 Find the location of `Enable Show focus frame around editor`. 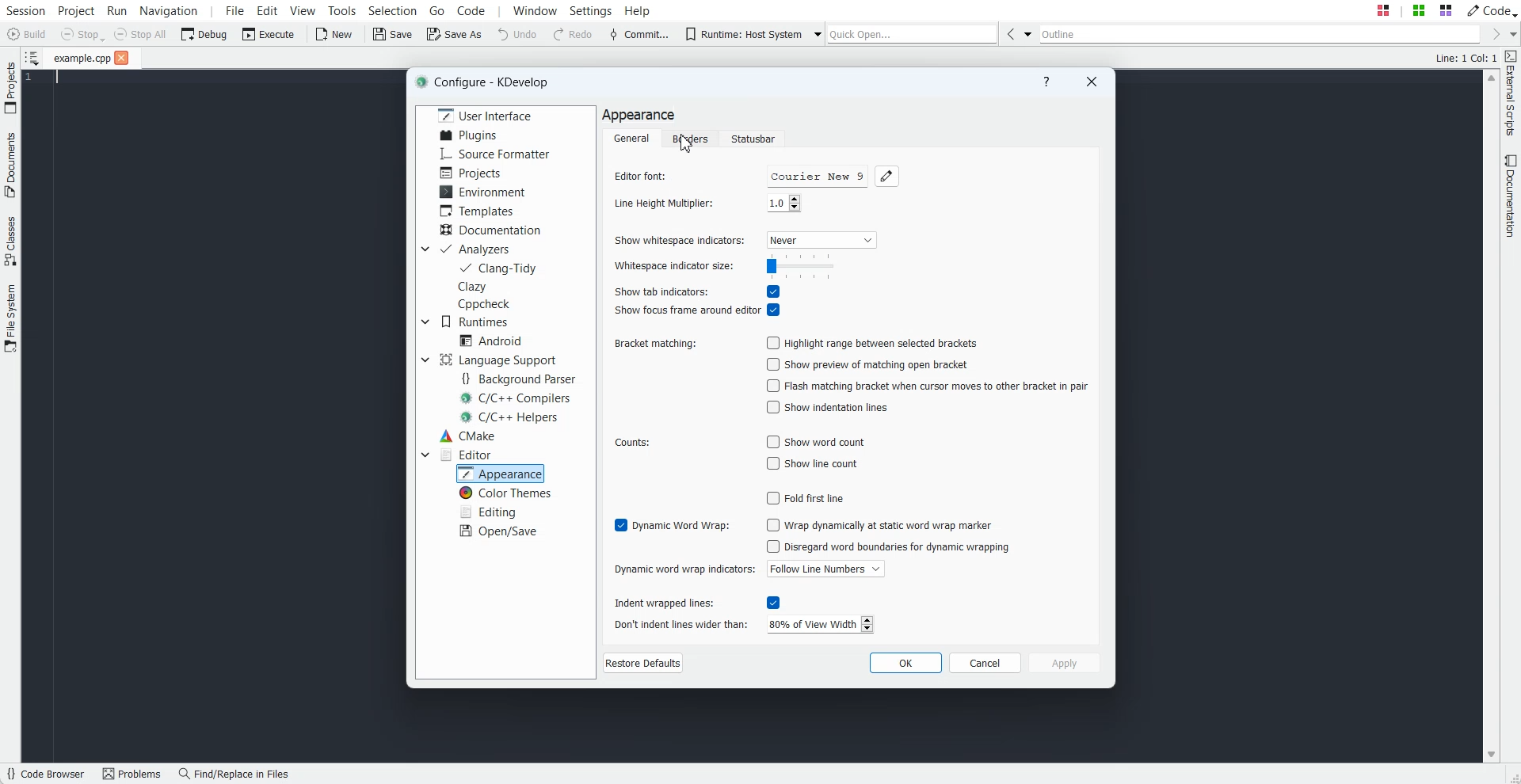

Enable Show focus frame around editor is located at coordinates (700, 310).